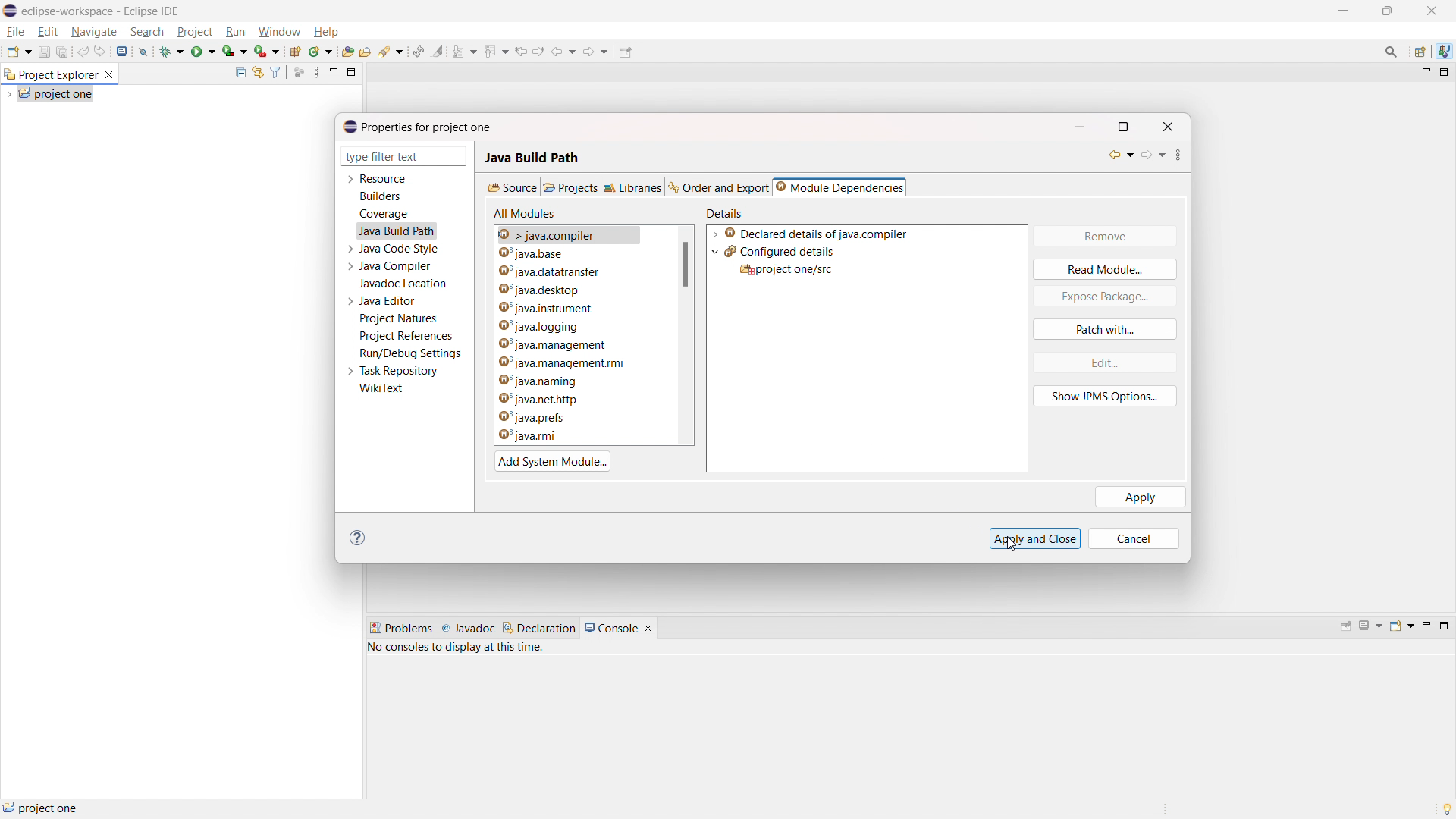  Describe the element at coordinates (382, 389) in the screenshot. I see `wikitext` at that location.